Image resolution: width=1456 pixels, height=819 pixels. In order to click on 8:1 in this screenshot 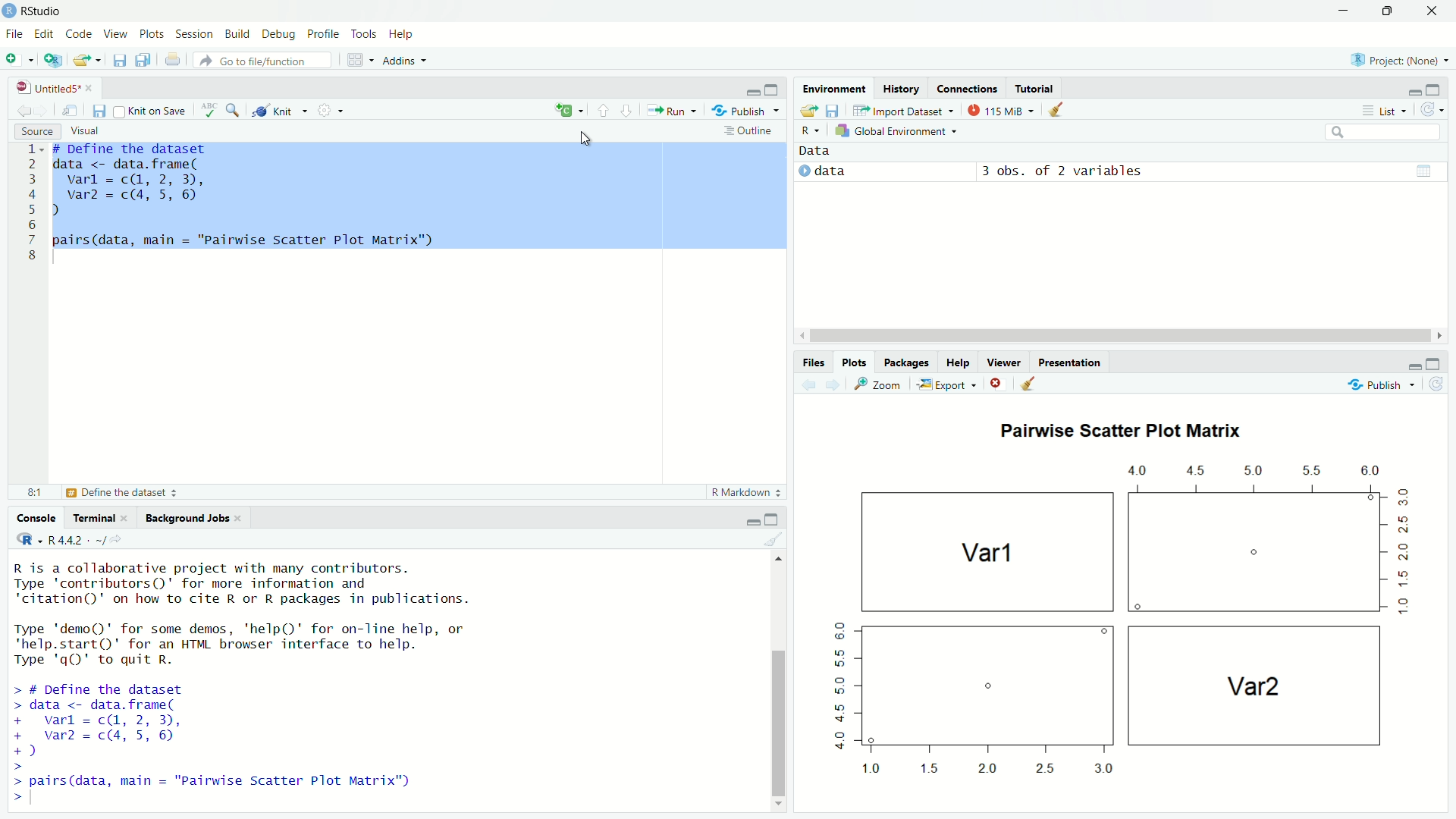, I will do `click(36, 491)`.